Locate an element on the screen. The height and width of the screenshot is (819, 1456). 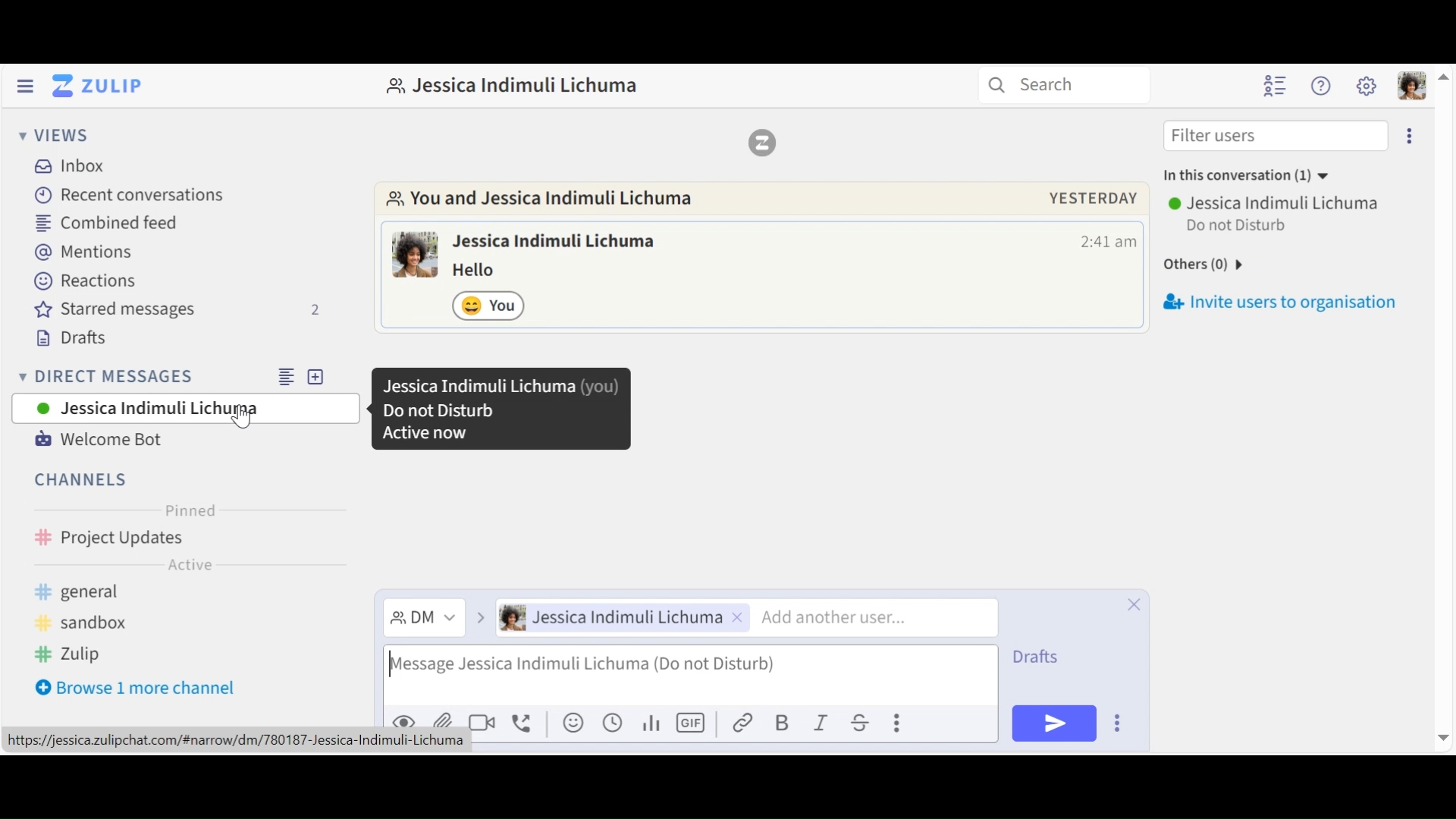
Starred messages is located at coordinates (178, 312).